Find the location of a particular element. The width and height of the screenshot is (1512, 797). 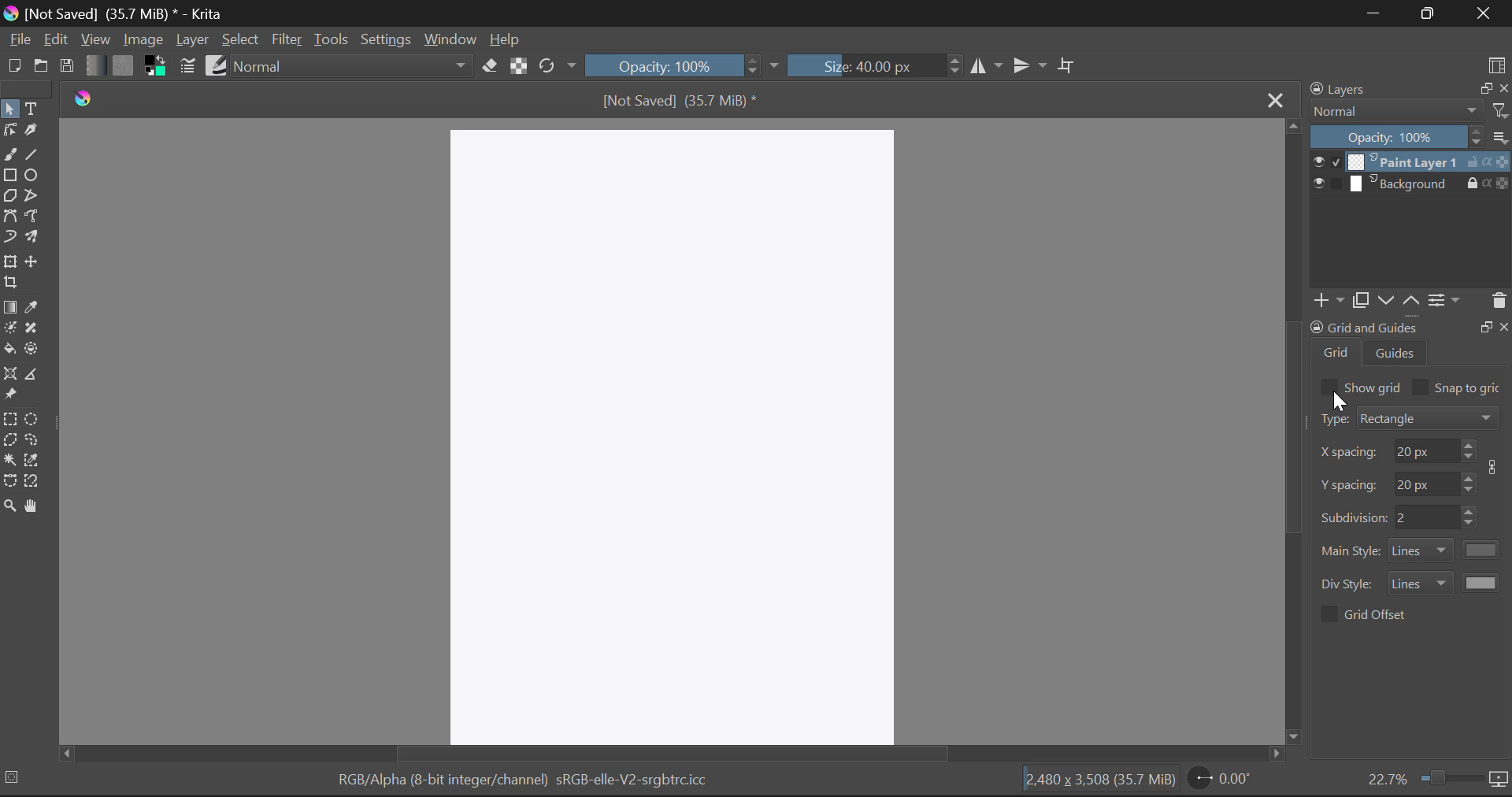

show/hide is located at coordinates (1326, 161).